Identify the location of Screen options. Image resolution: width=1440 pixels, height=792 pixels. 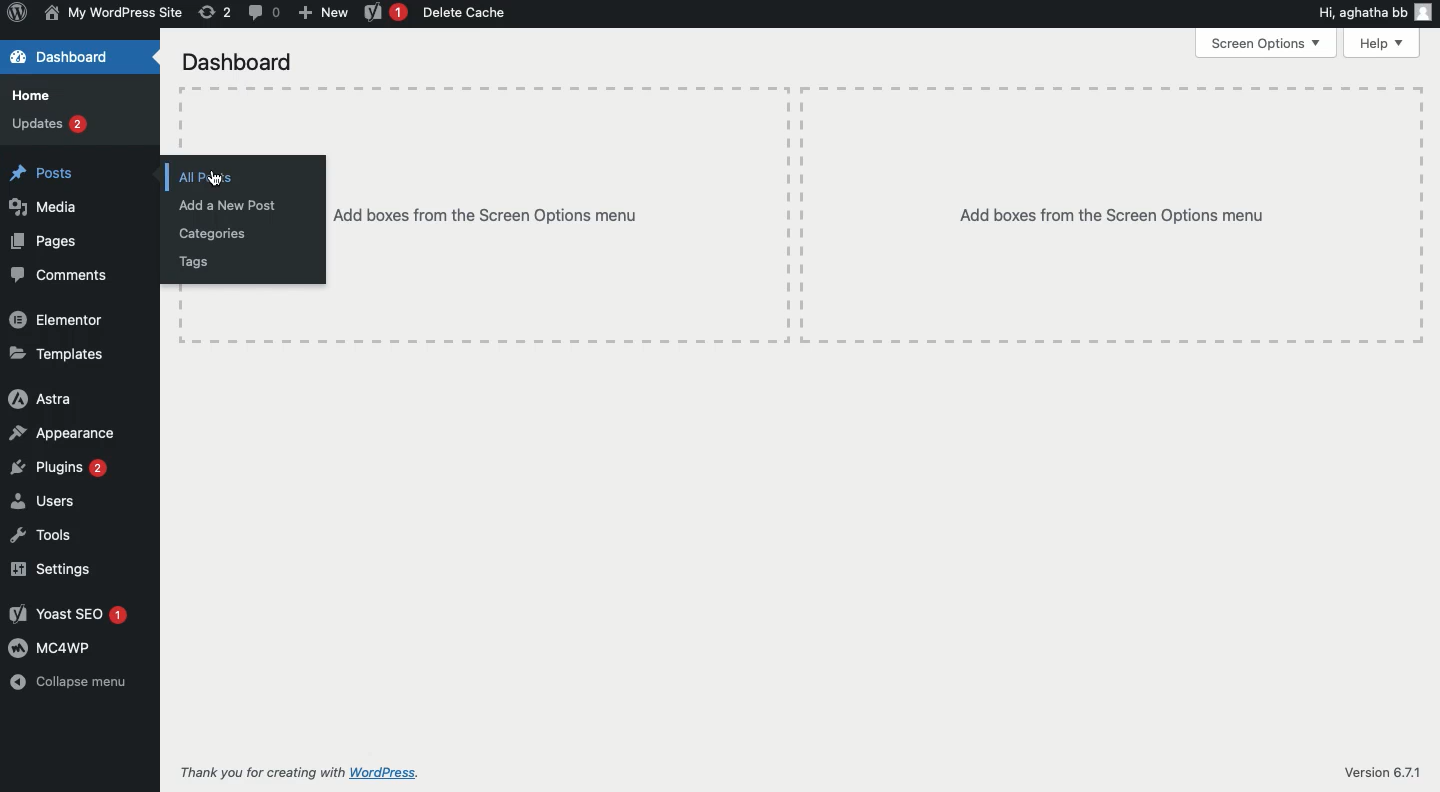
(1265, 42).